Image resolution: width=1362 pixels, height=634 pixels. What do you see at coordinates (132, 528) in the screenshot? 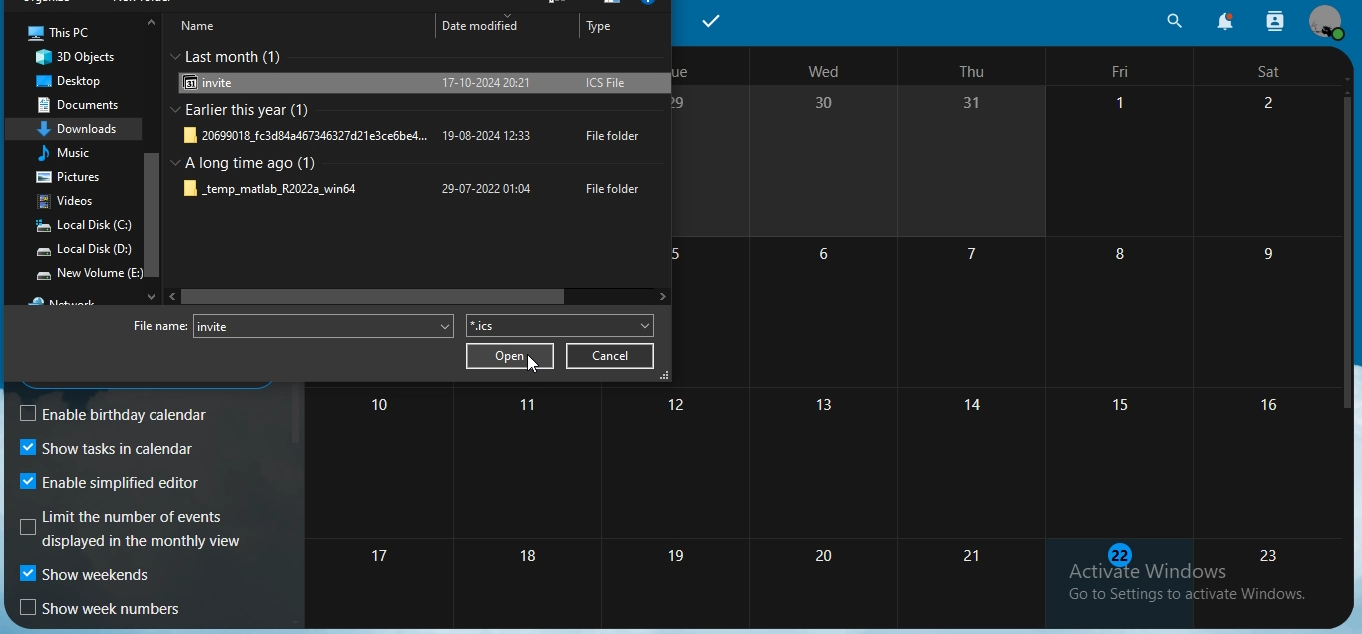
I see `gL i iE GEL
displayed in the monthly view` at bounding box center [132, 528].